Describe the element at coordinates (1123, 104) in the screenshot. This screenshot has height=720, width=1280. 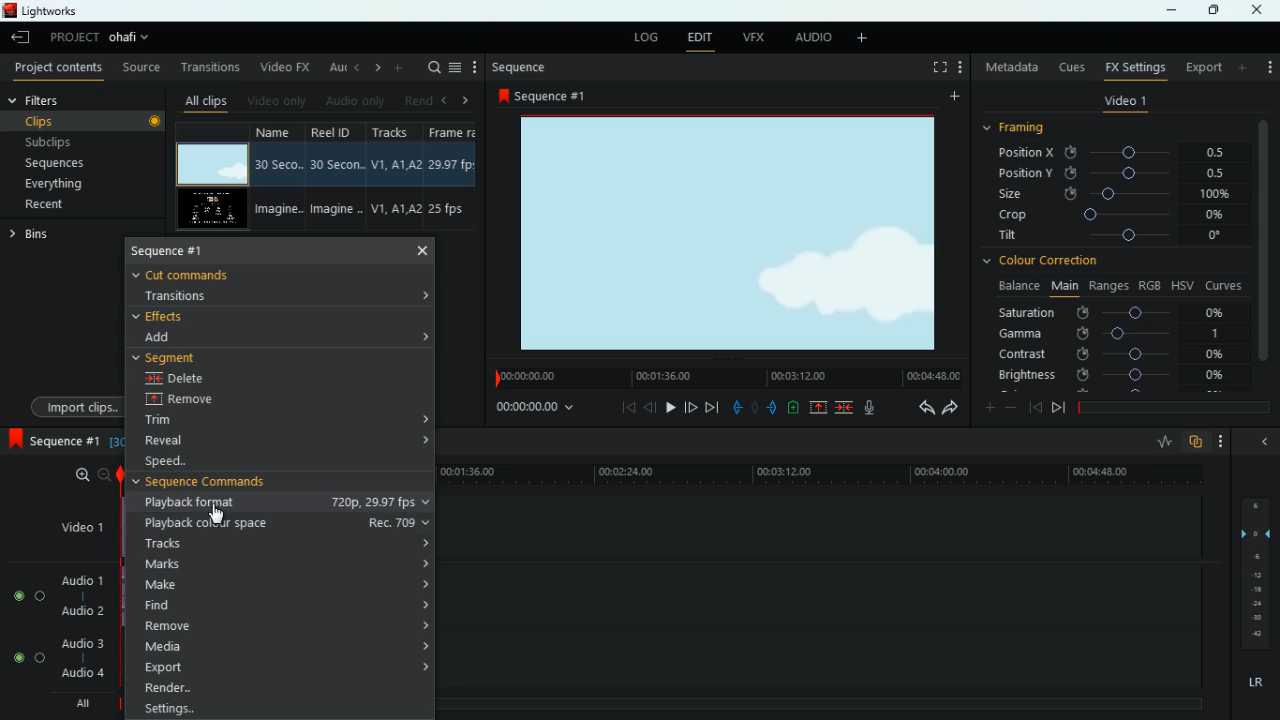
I see `video 1` at that location.